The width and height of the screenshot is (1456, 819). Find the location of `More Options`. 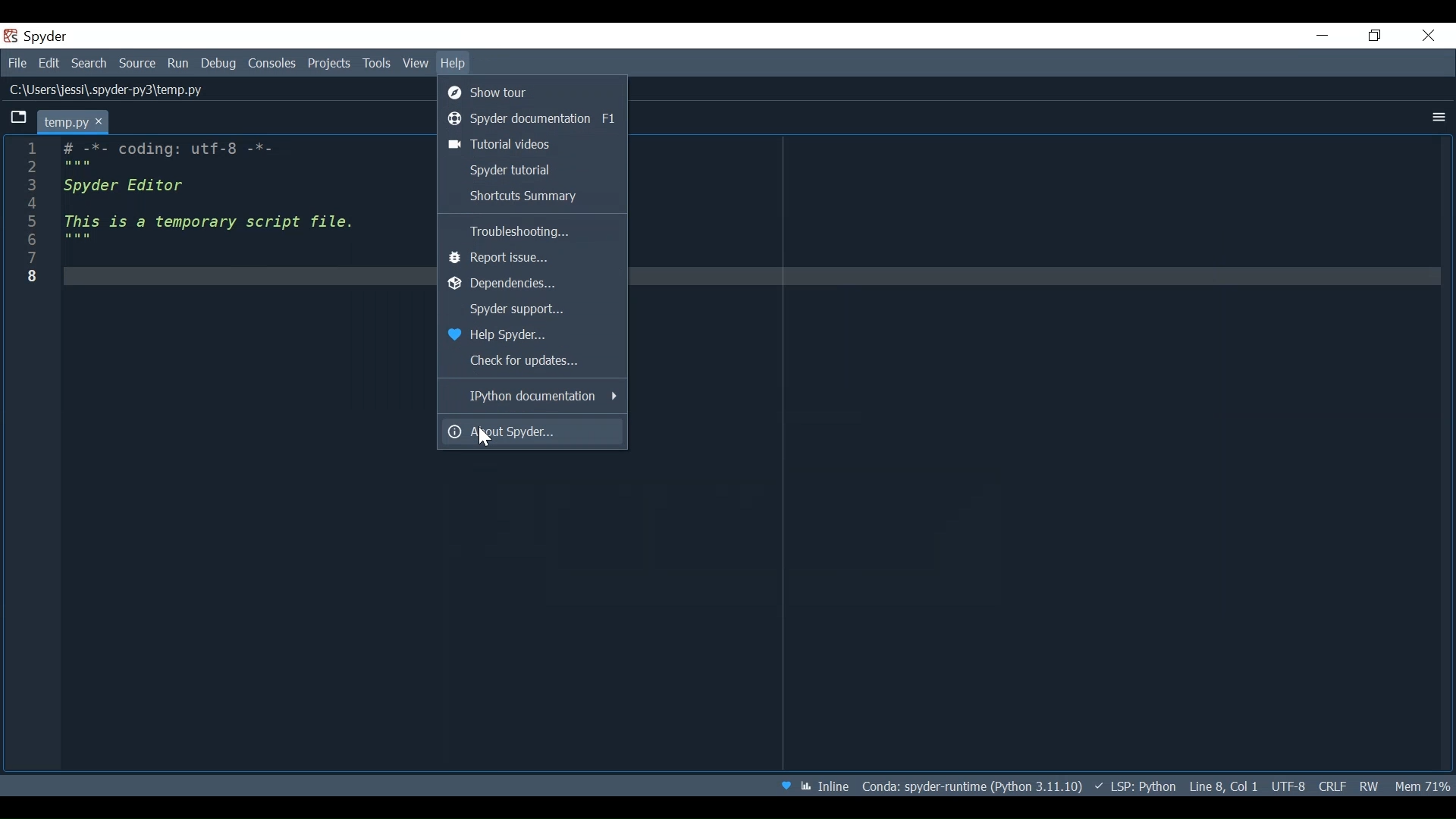

More Options is located at coordinates (1436, 118).